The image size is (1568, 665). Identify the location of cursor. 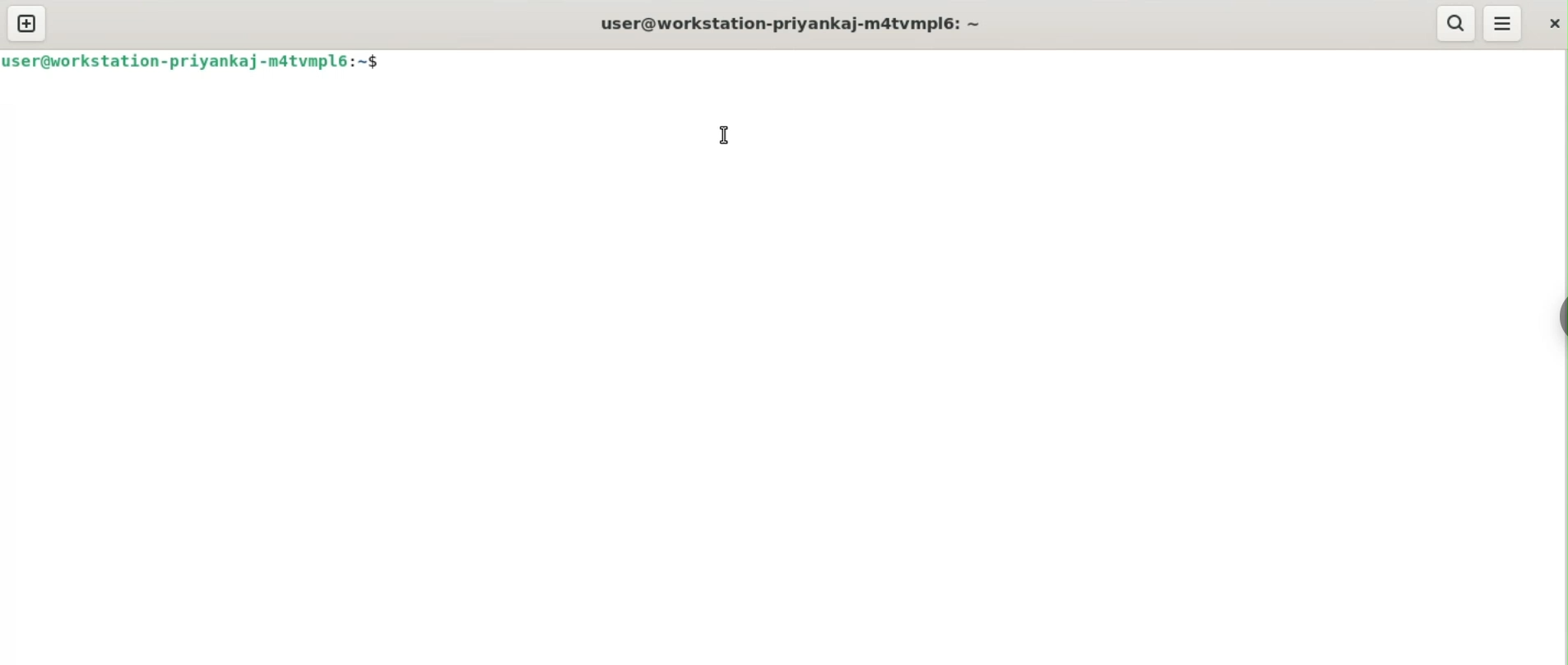
(721, 137).